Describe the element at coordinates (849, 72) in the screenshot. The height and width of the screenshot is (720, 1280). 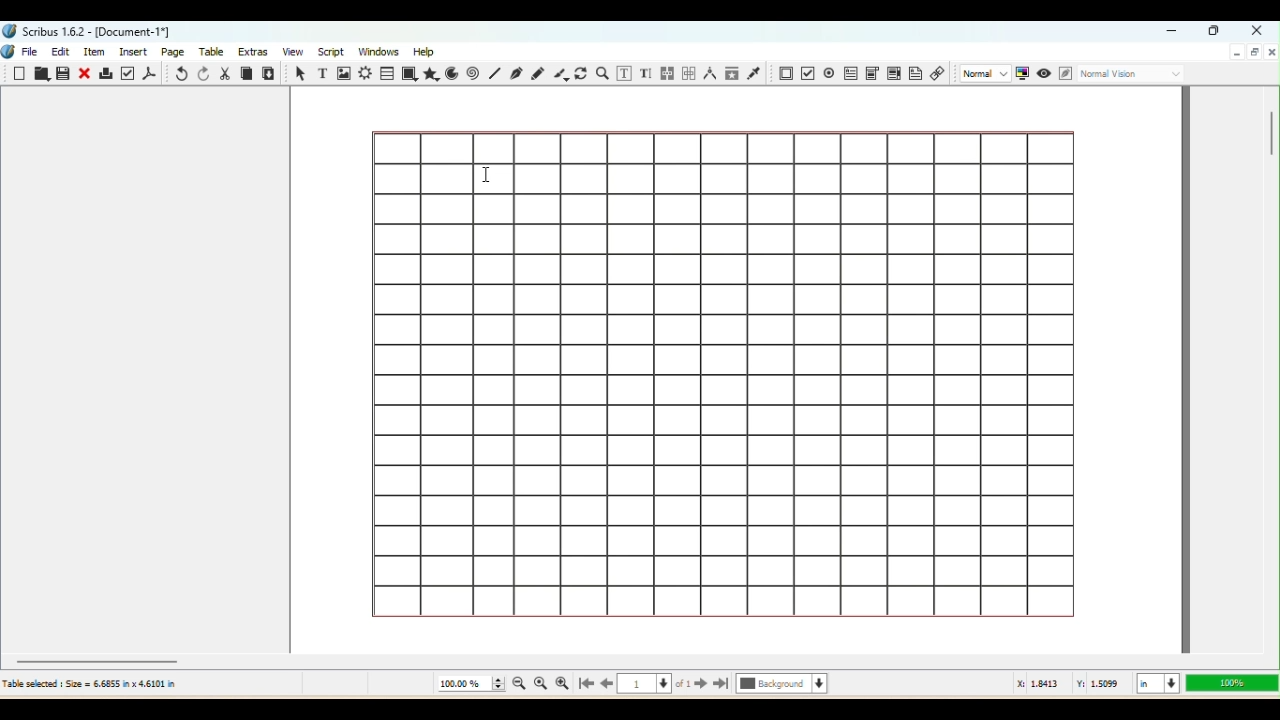
I see `PDF text field` at that location.